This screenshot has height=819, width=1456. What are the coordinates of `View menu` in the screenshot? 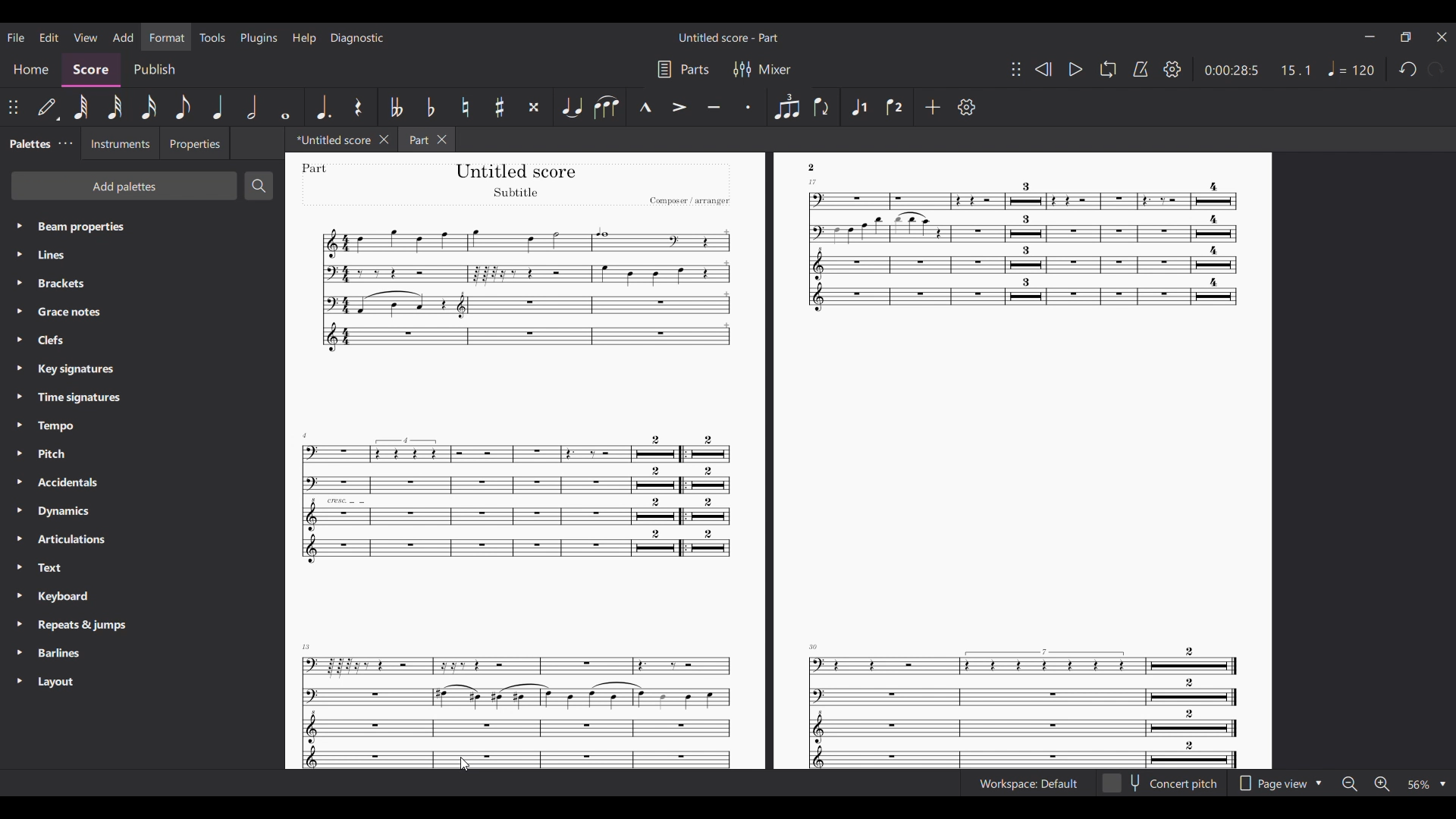 It's located at (85, 37).